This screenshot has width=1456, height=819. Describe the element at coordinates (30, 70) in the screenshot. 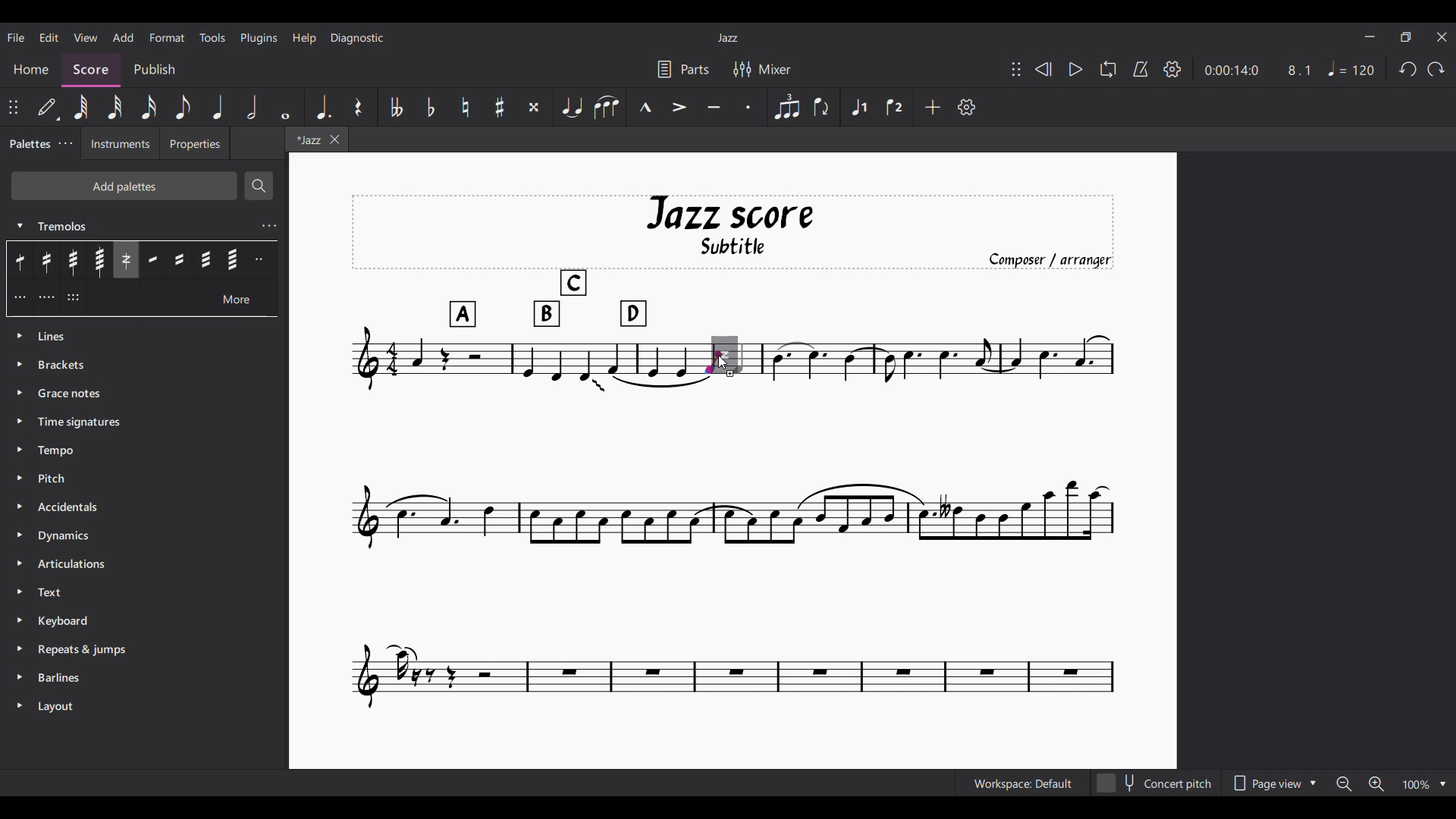

I see `Home` at that location.